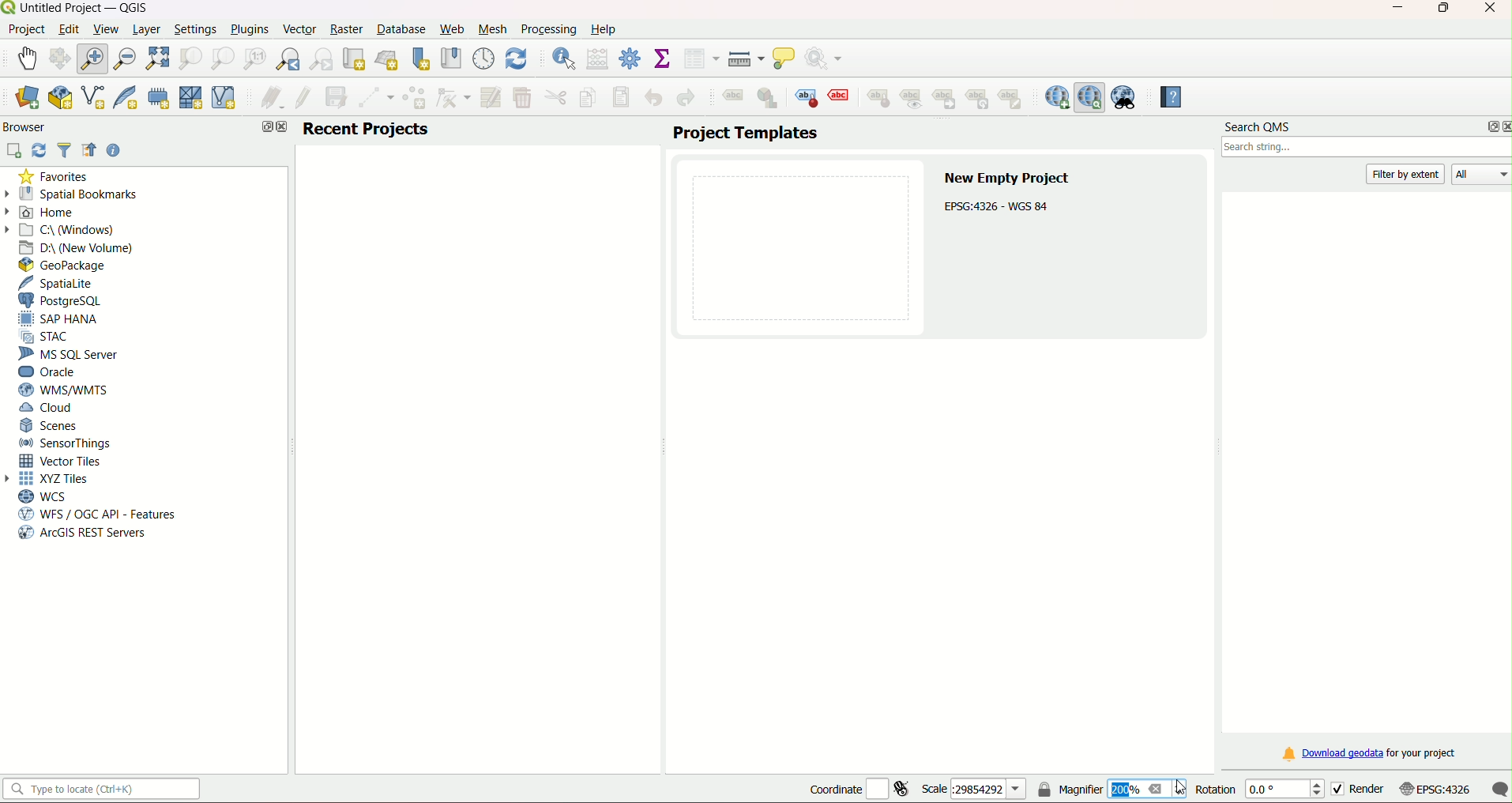 This screenshot has height=803, width=1512. I want to click on recent projects, so click(367, 129).